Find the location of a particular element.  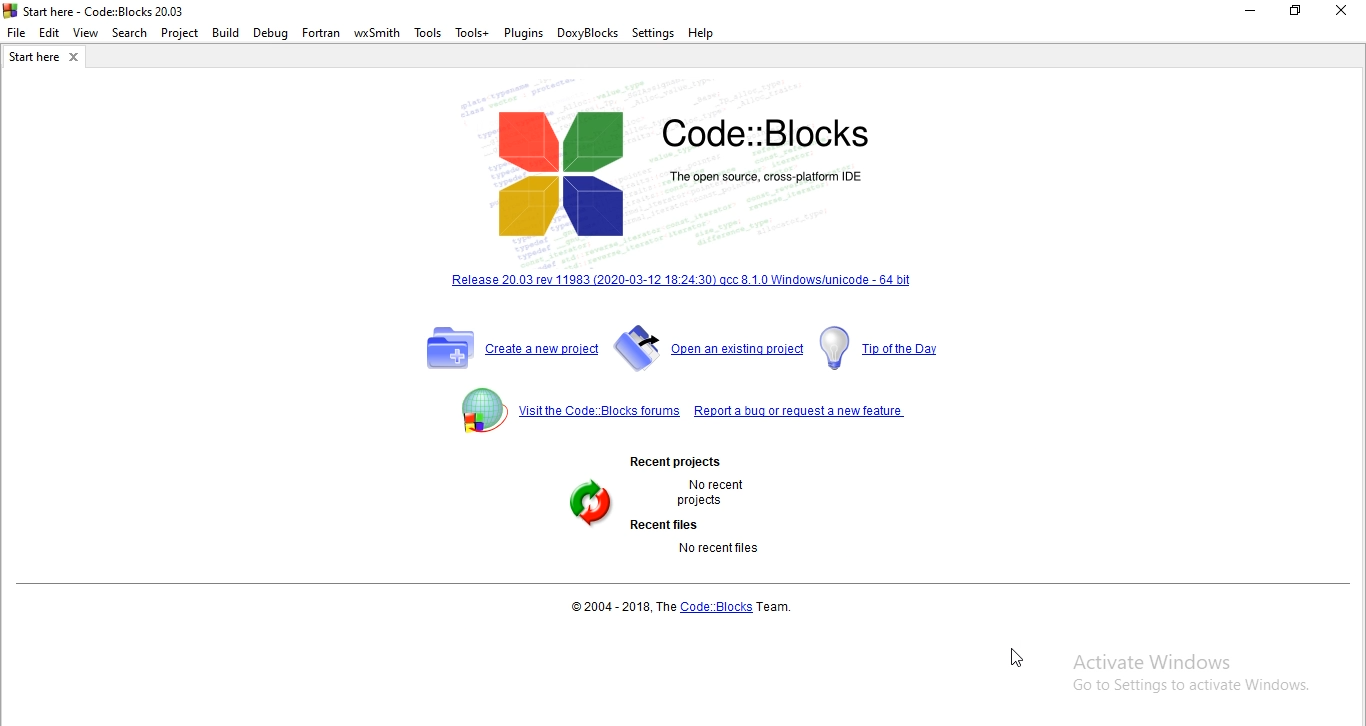

Code::Blocks is located at coordinates (718, 606).